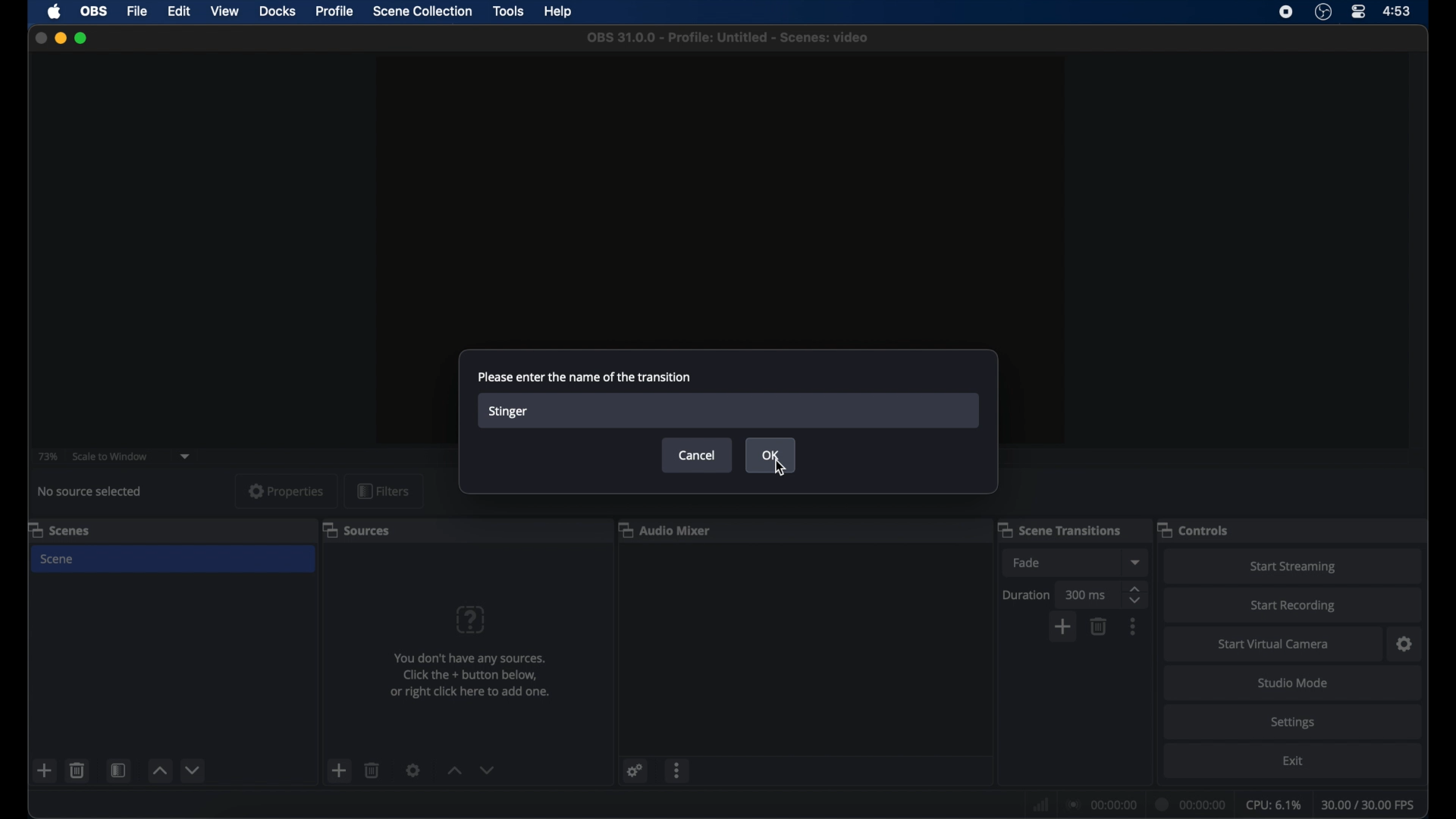 The width and height of the screenshot is (1456, 819). What do you see at coordinates (137, 12) in the screenshot?
I see `file` at bounding box center [137, 12].